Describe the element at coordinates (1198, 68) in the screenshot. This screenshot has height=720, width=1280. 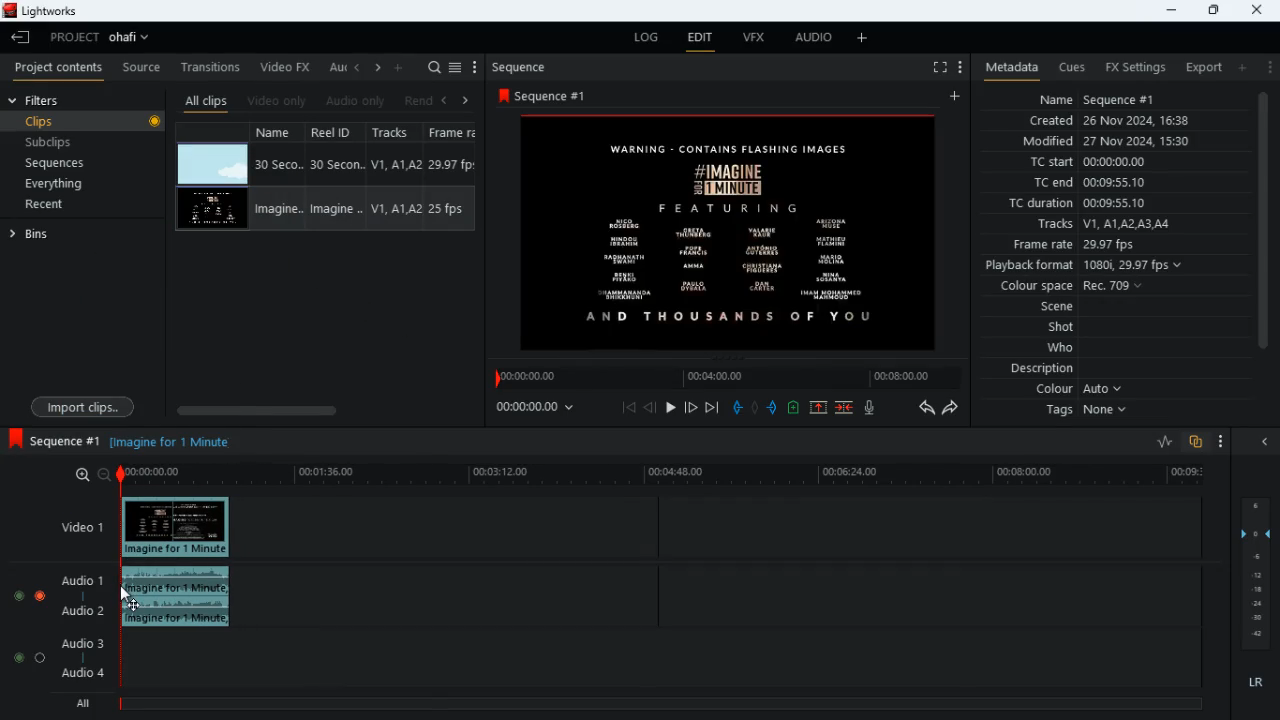
I see `export` at that location.